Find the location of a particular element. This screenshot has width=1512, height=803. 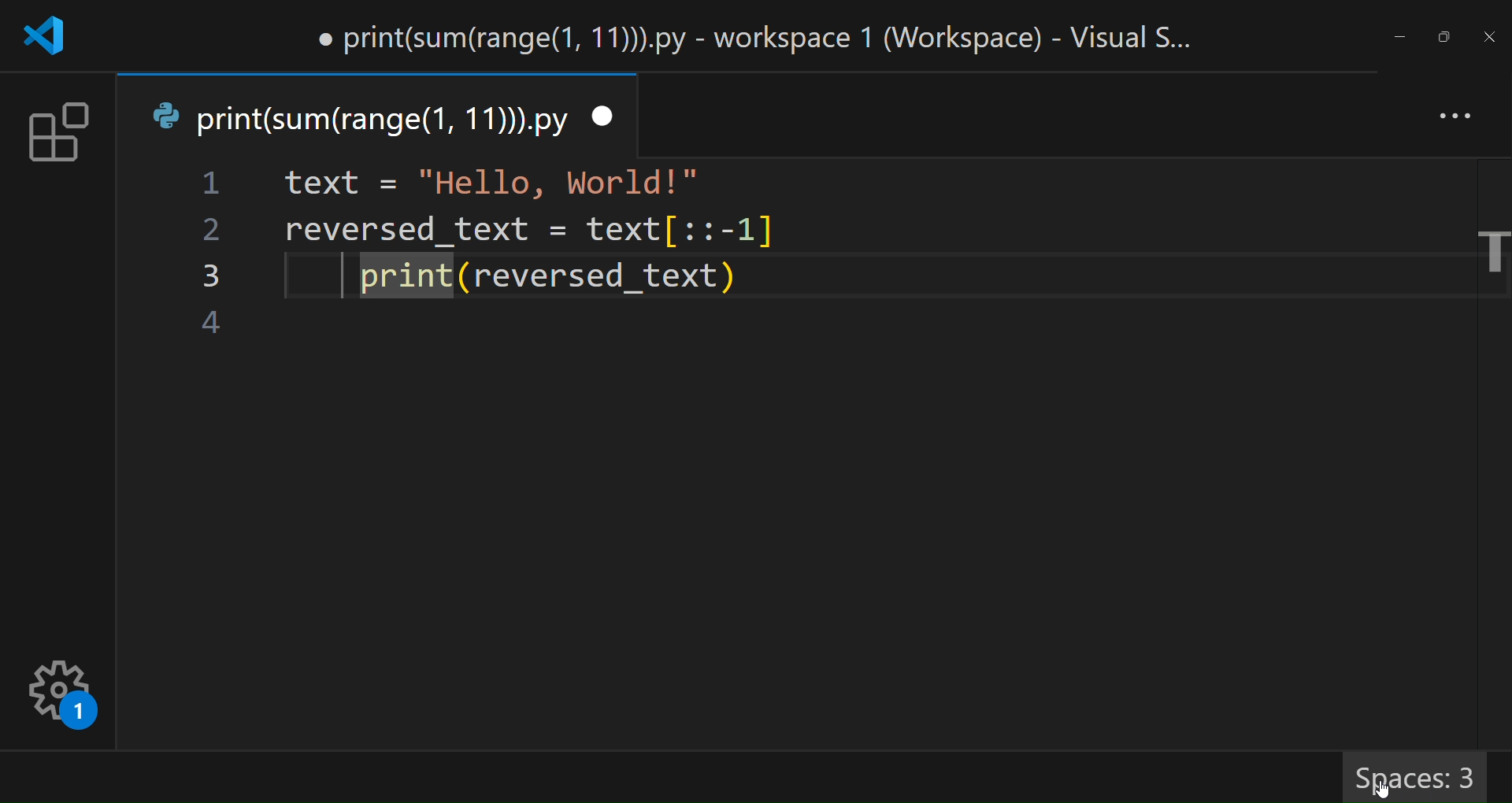

logo is located at coordinates (42, 39).